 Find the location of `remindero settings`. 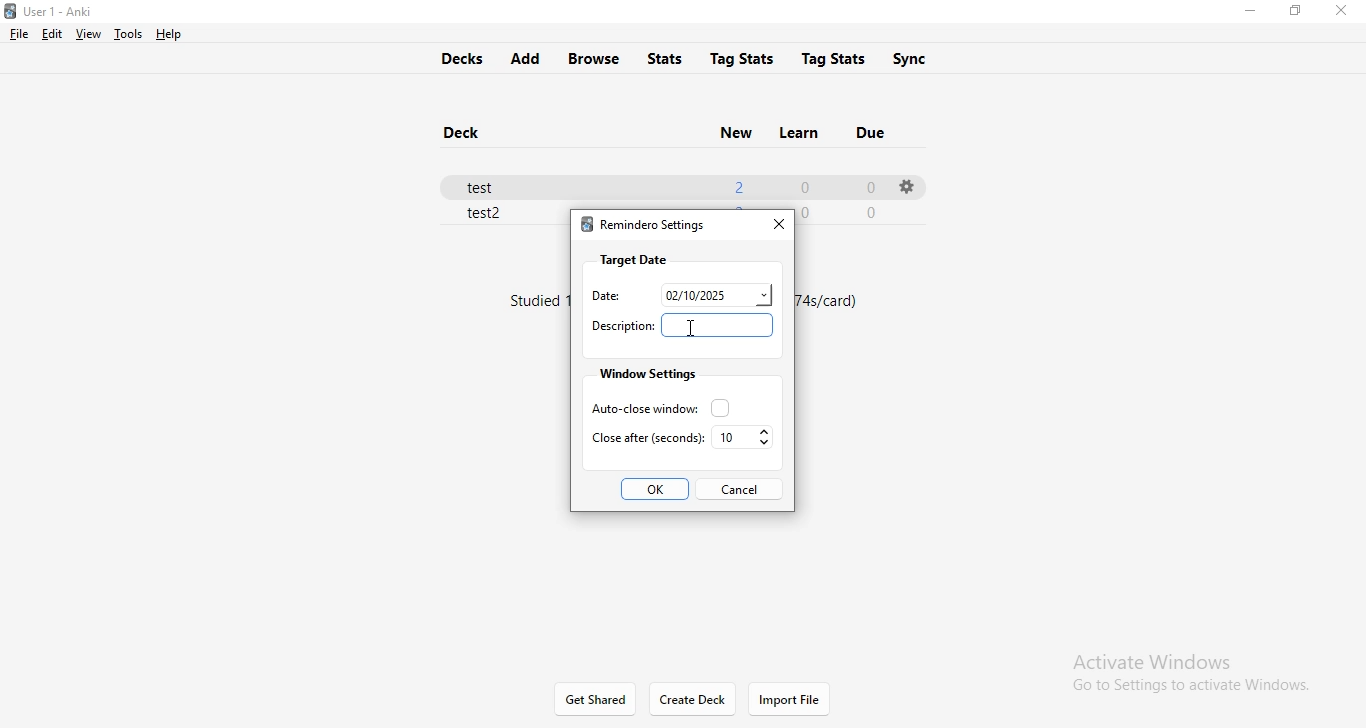

remindero settings is located at coordinates (642, 227).